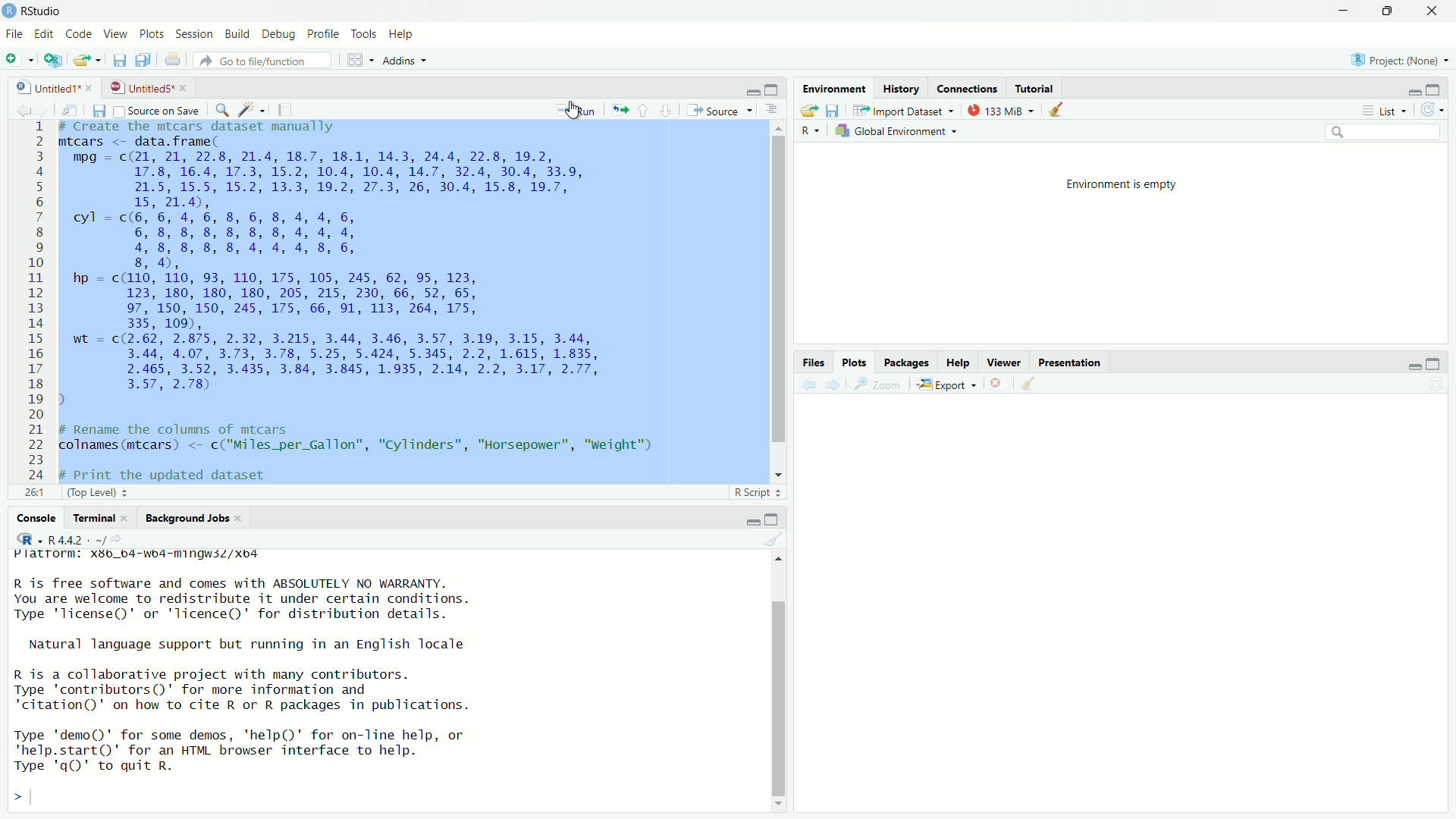 The image size is (1456, 819). Describe the element at coordinates (997, 386) in the screenshot. I see `close` at that location.